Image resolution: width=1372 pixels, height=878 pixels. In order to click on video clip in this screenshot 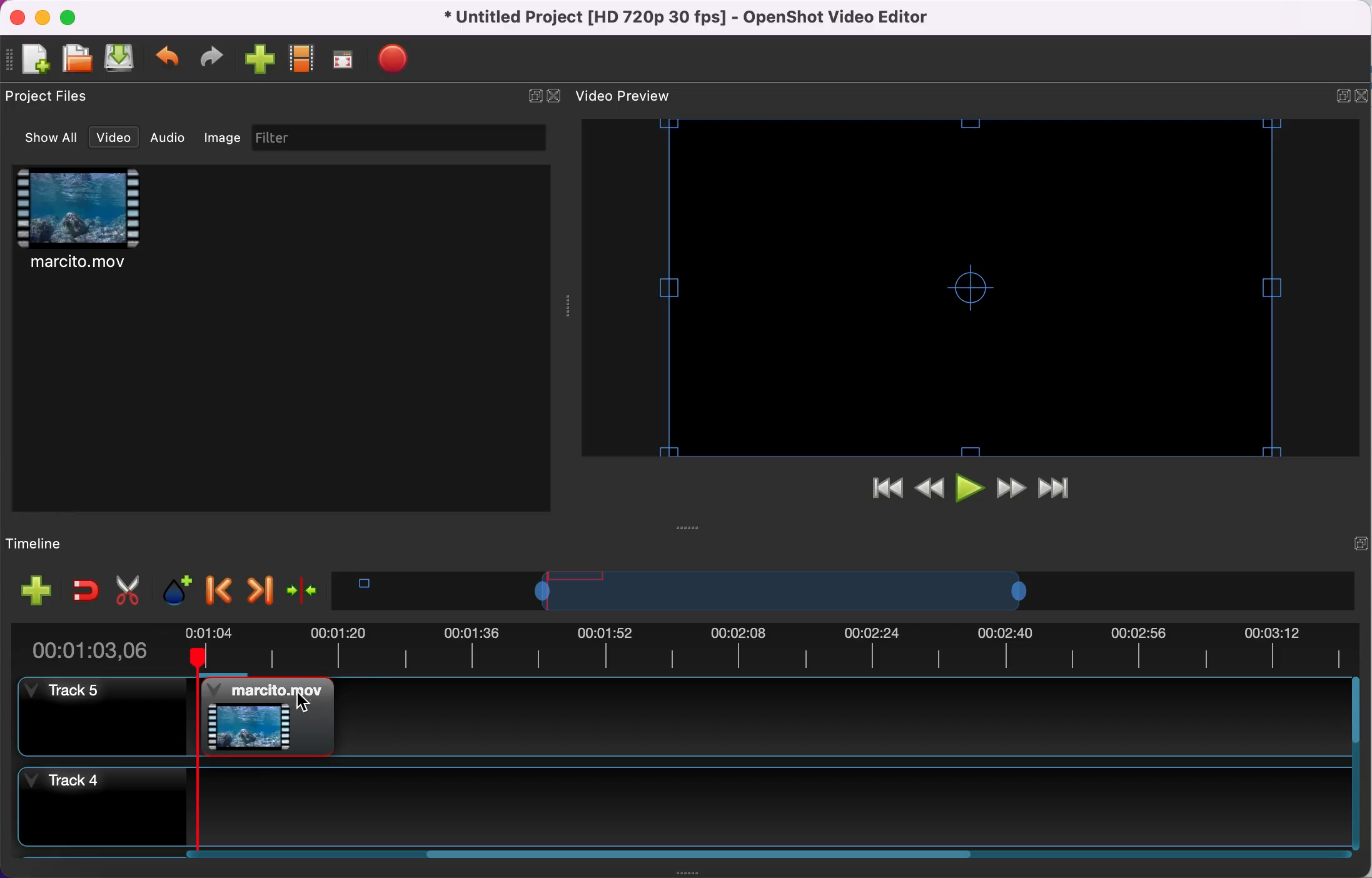, I will do `click(271, 717)`.